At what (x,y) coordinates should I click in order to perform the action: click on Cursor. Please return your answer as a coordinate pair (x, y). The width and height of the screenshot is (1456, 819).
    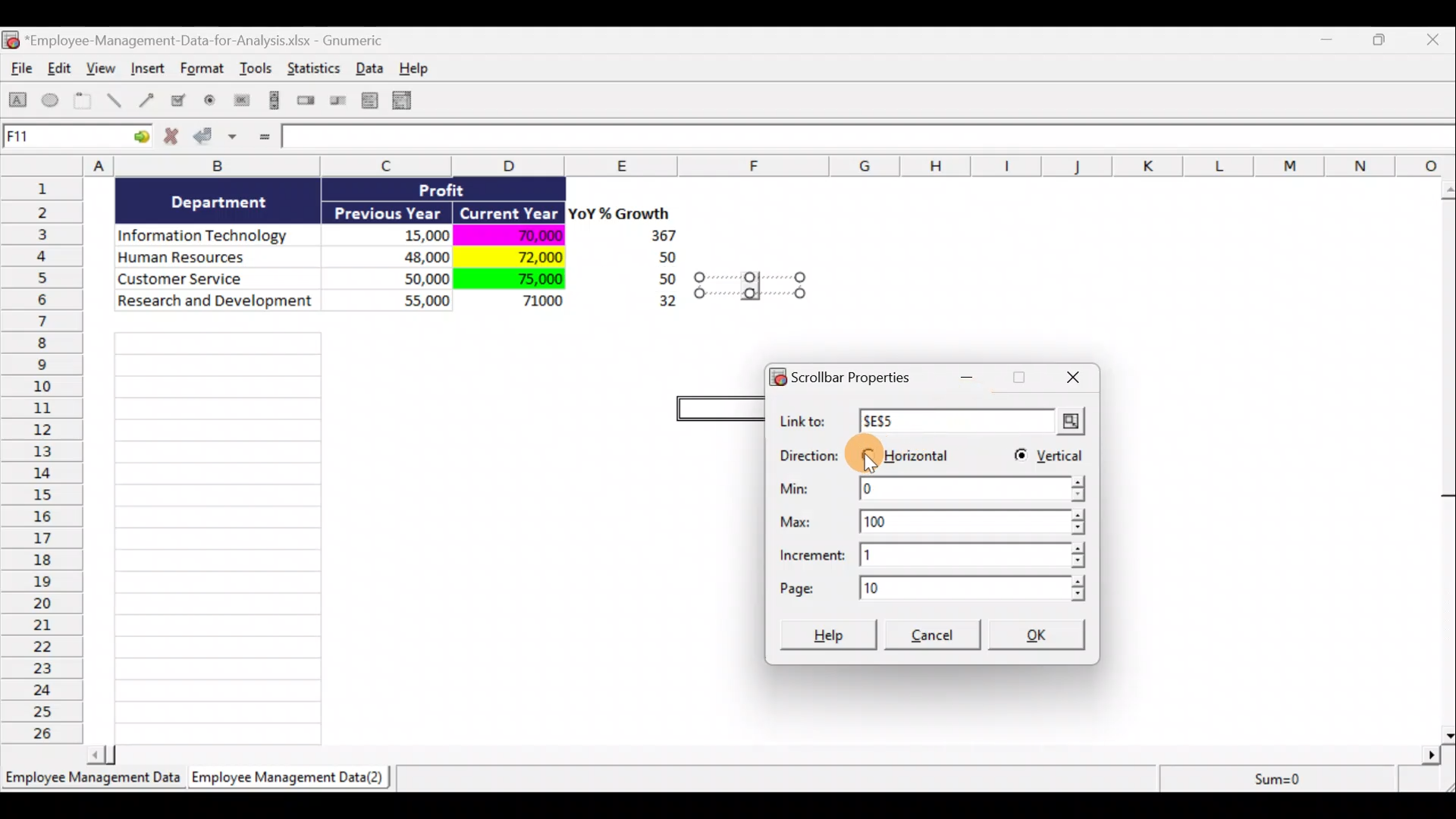
    Looking at the image, I should click on (867, 457).